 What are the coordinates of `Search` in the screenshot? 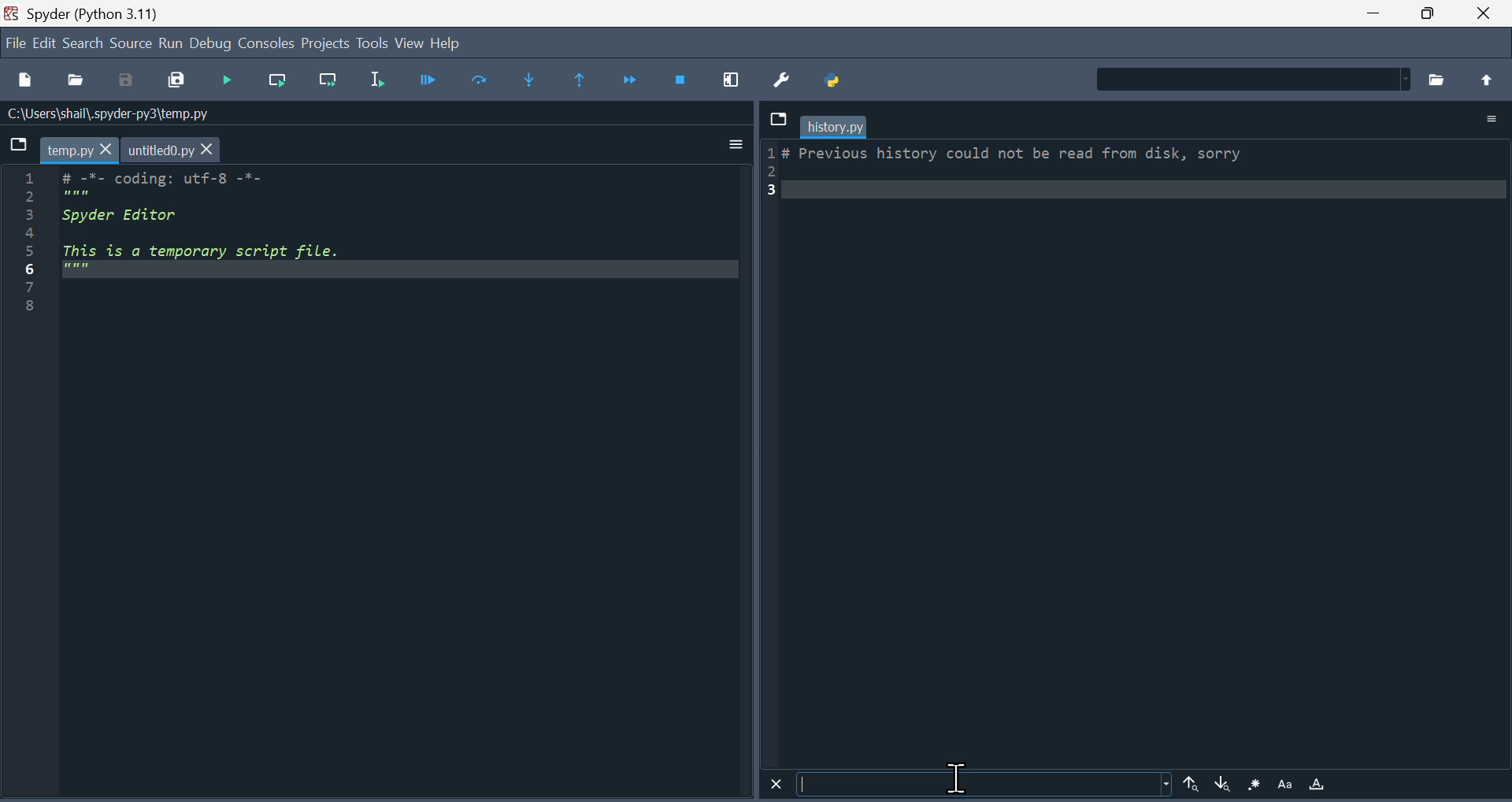 It's located at (83, 45).